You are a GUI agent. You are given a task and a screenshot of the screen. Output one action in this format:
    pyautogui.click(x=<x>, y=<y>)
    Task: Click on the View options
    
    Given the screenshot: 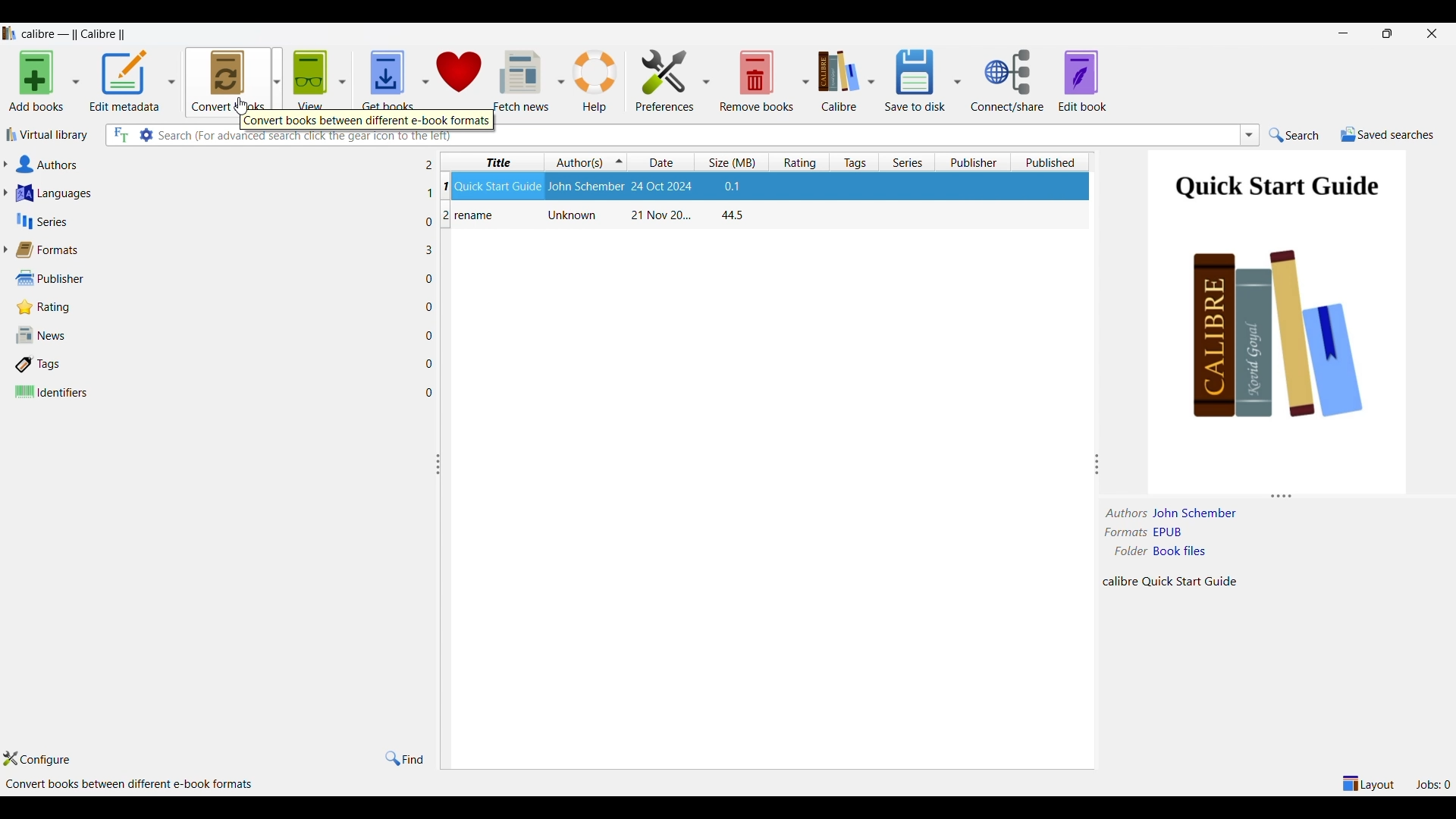 What is the action you would take?
    pyautogui.click(x=341, y=81)
    